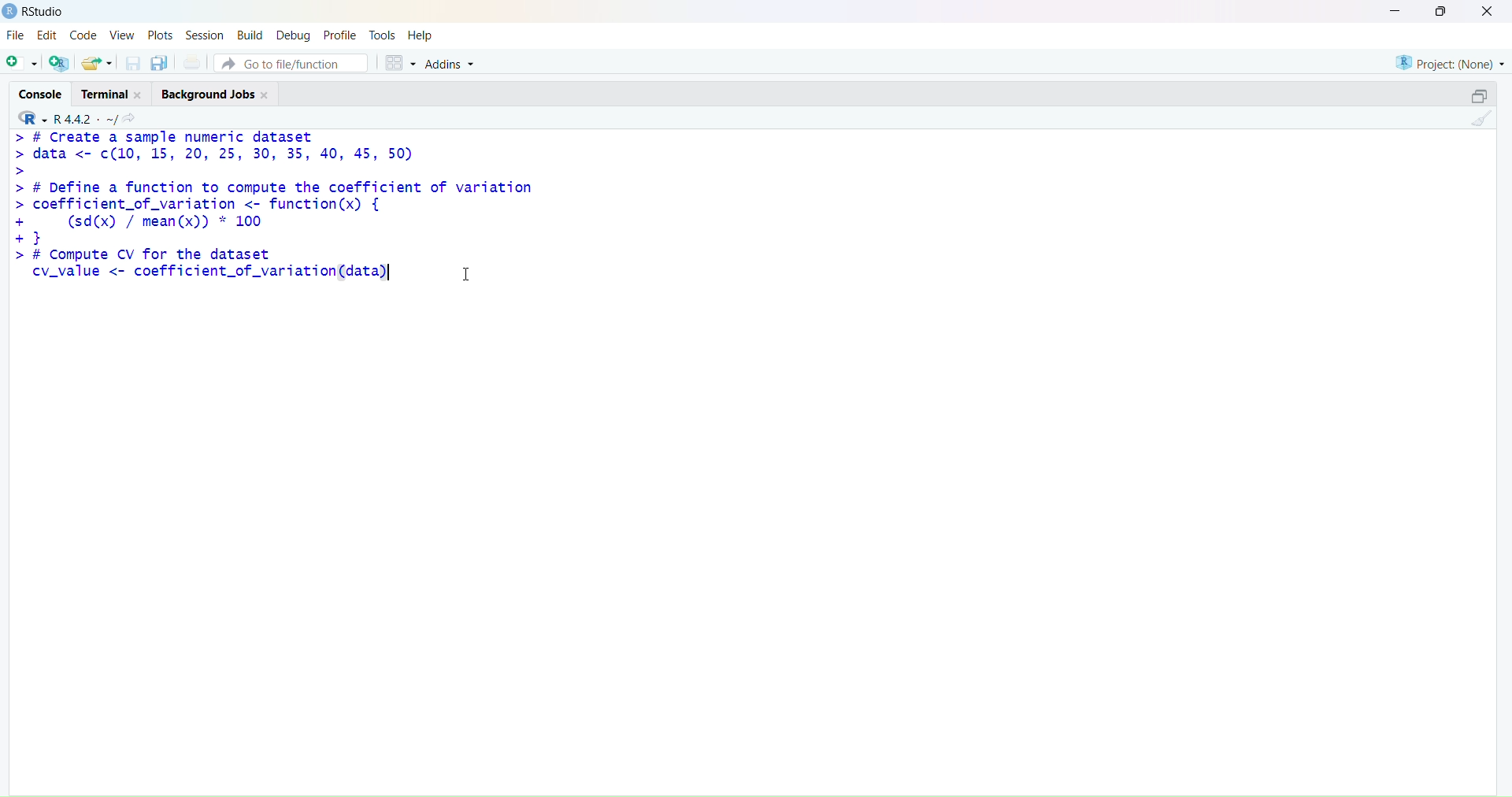 This screenshot has height=797, width=1512. What do you see at coordinates (14, 35) in the screenshot?
I see `file` at bounding box center [14, 35].